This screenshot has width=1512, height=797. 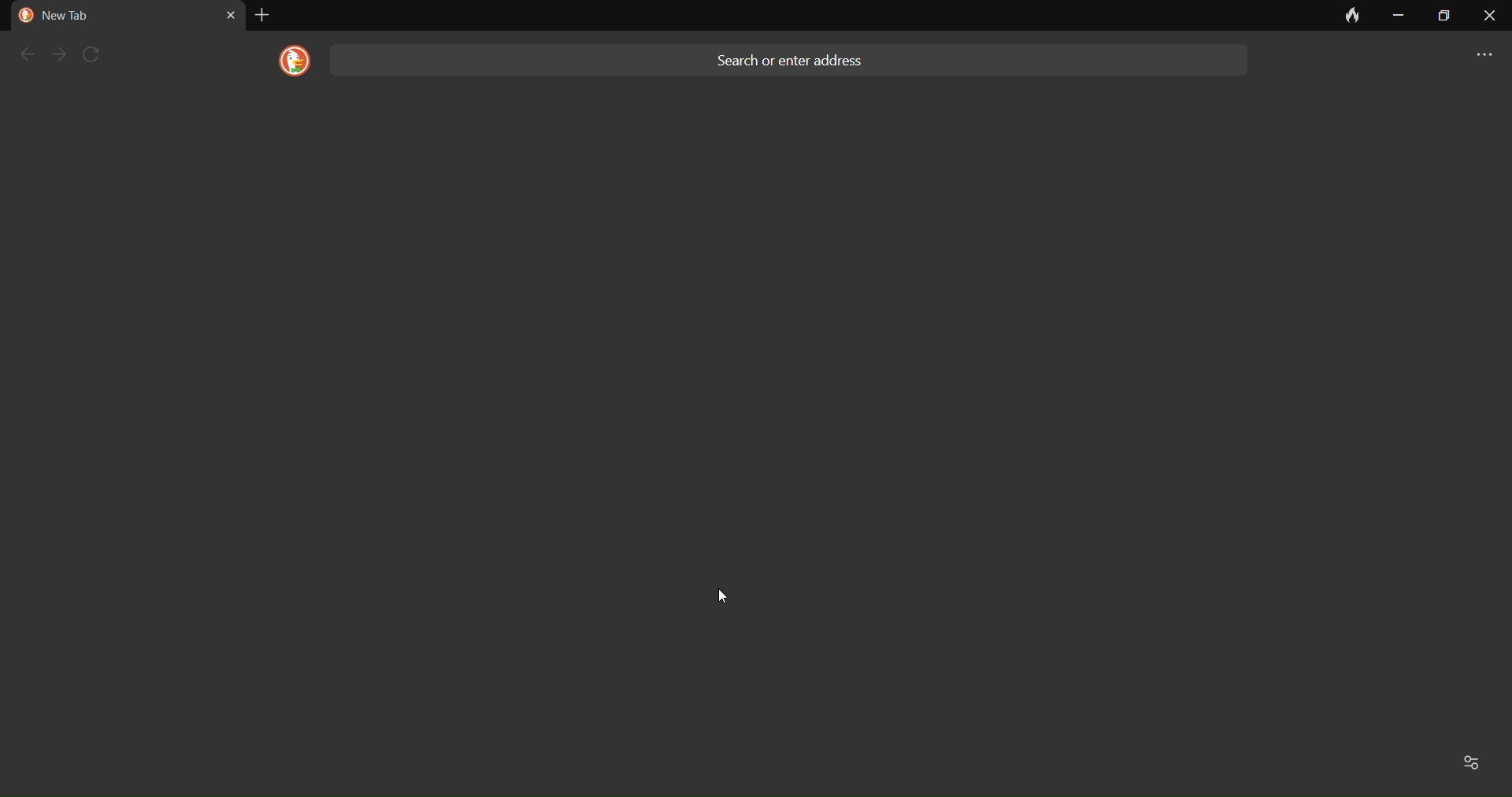 What do you see at coordinates (1474, 761) in the screenshot?
I see `Favorites and recent activity` at bounding box center [1474, 761].